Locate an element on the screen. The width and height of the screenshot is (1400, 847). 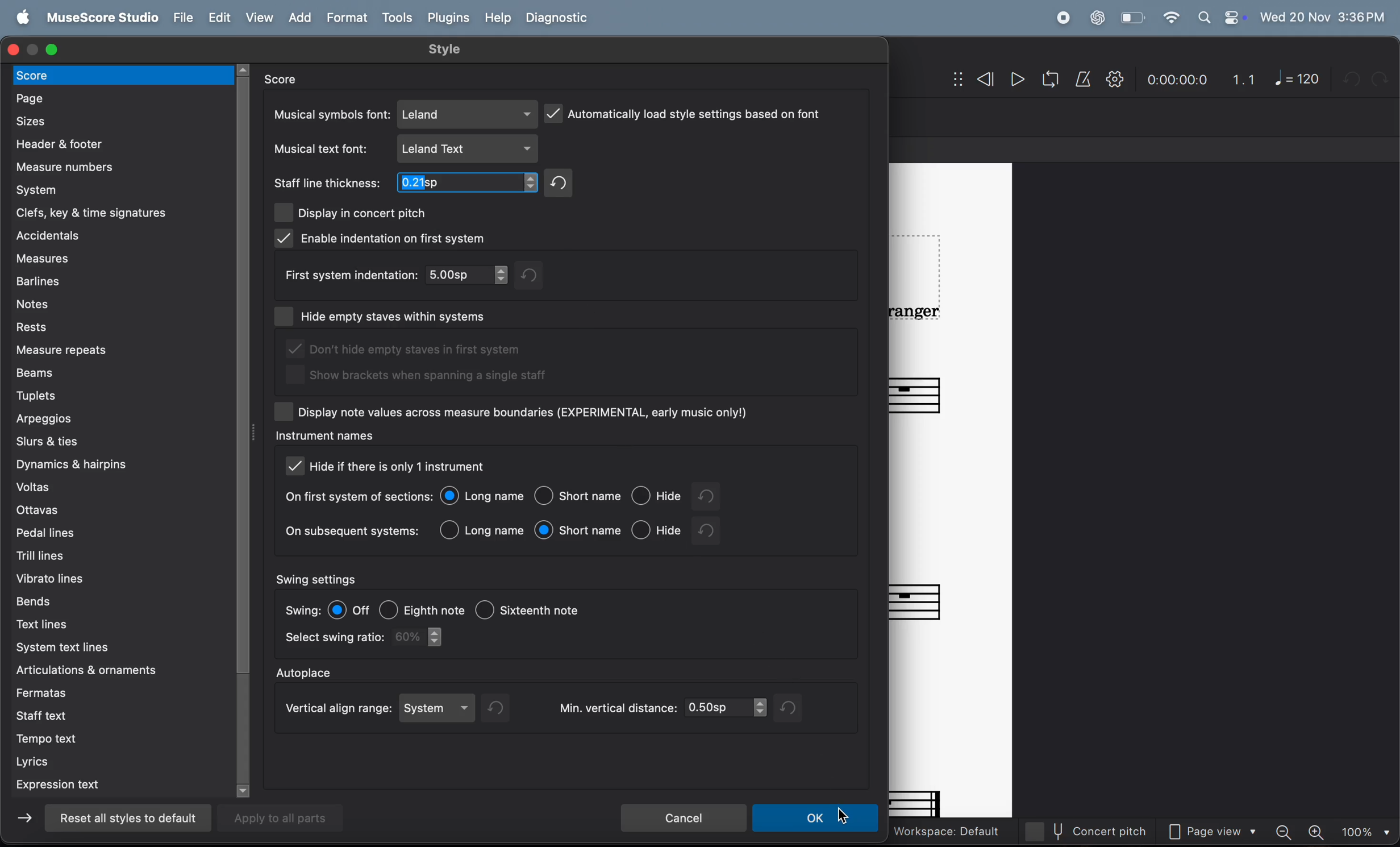
workspace default is located at coordinates (945, 832).